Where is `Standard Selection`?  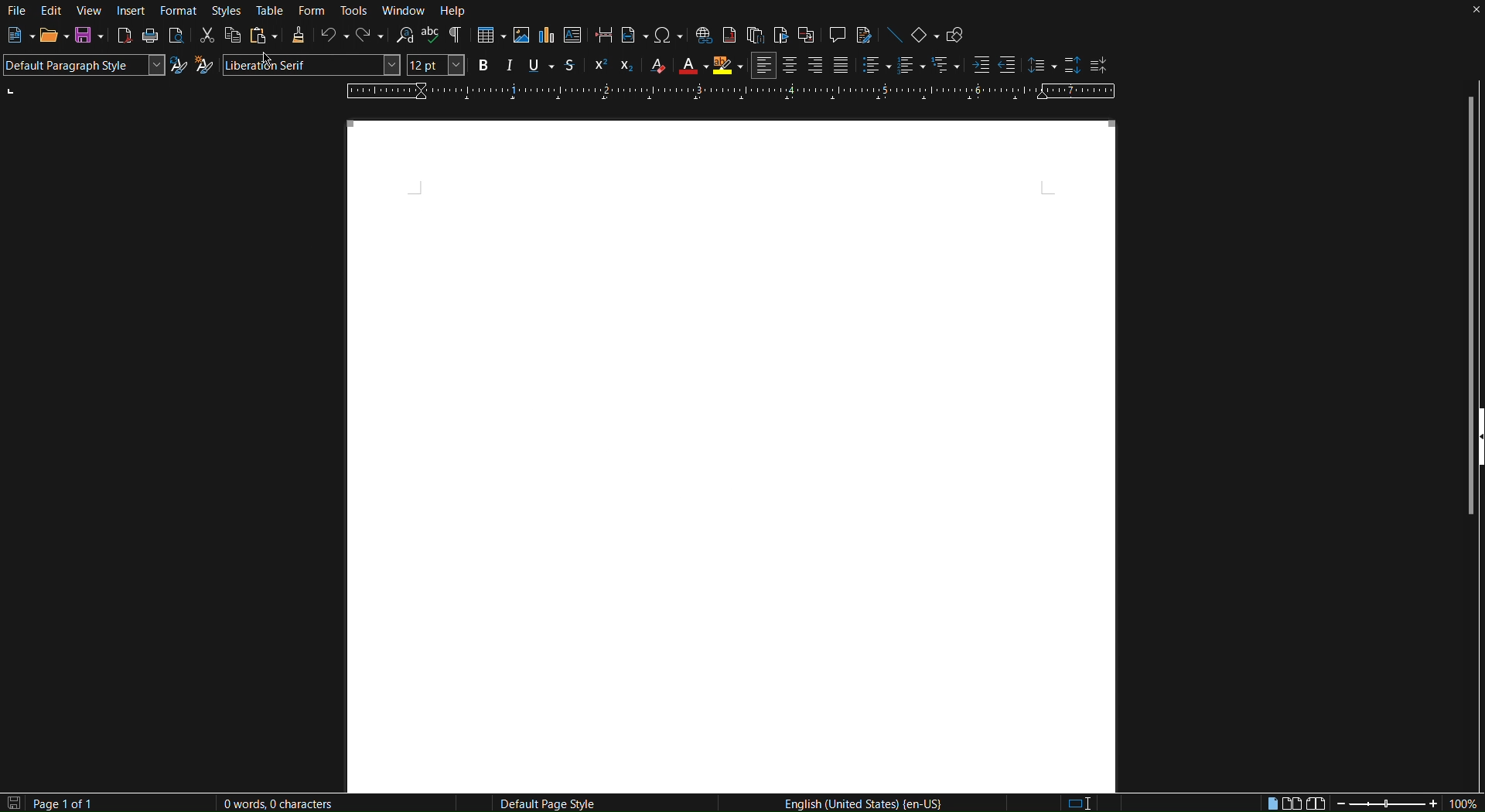
Standard Selection is located at coordinates (1085, 803).